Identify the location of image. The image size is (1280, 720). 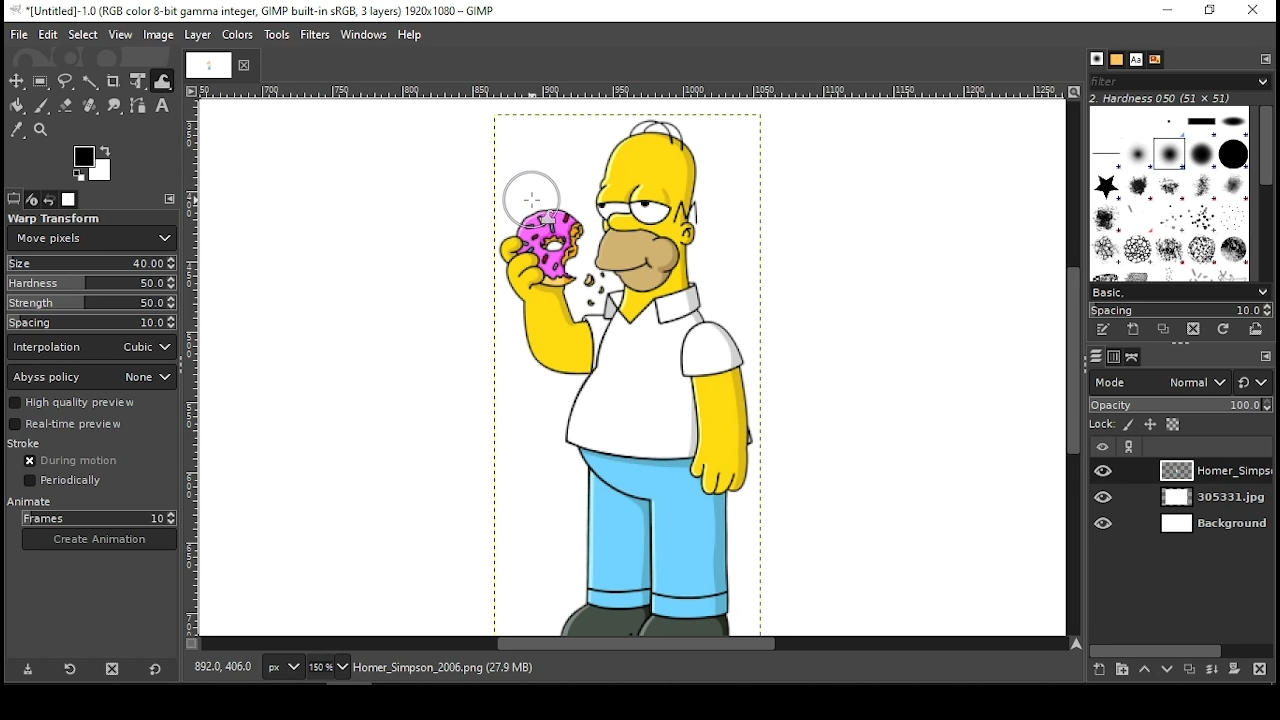
(631, 374).